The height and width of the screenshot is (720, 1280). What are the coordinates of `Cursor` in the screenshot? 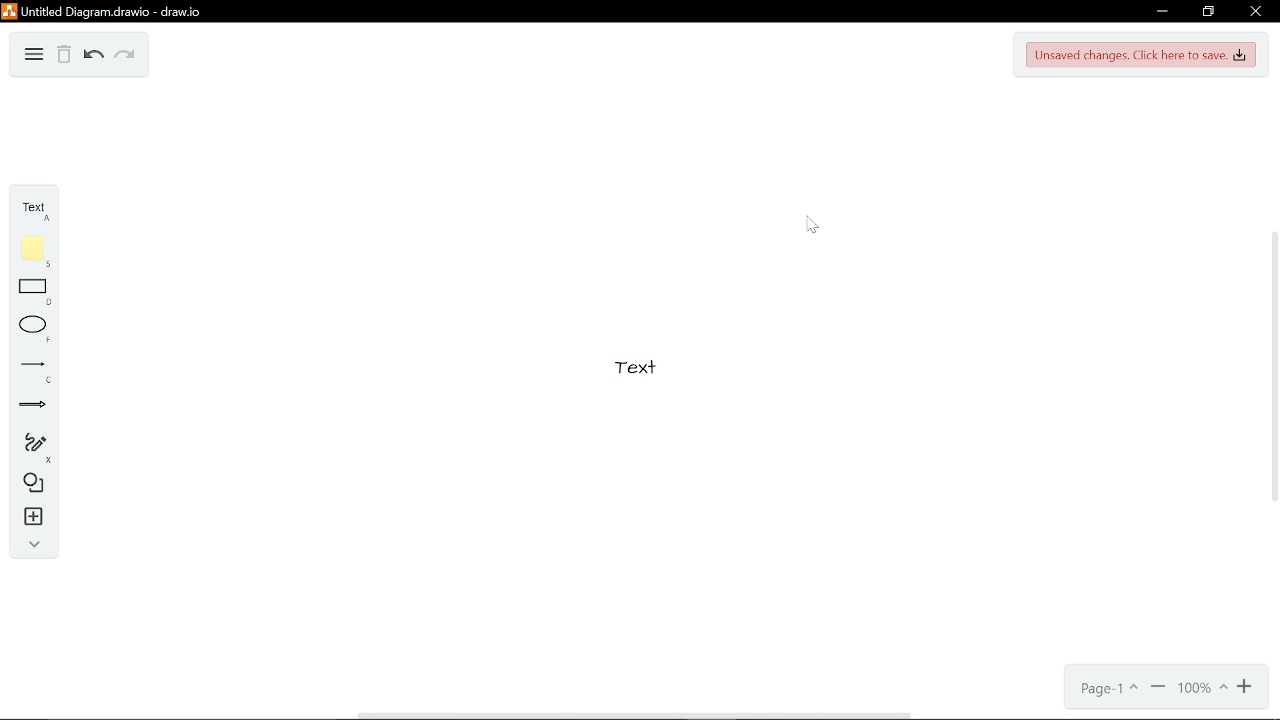 It's located at (814, 228).